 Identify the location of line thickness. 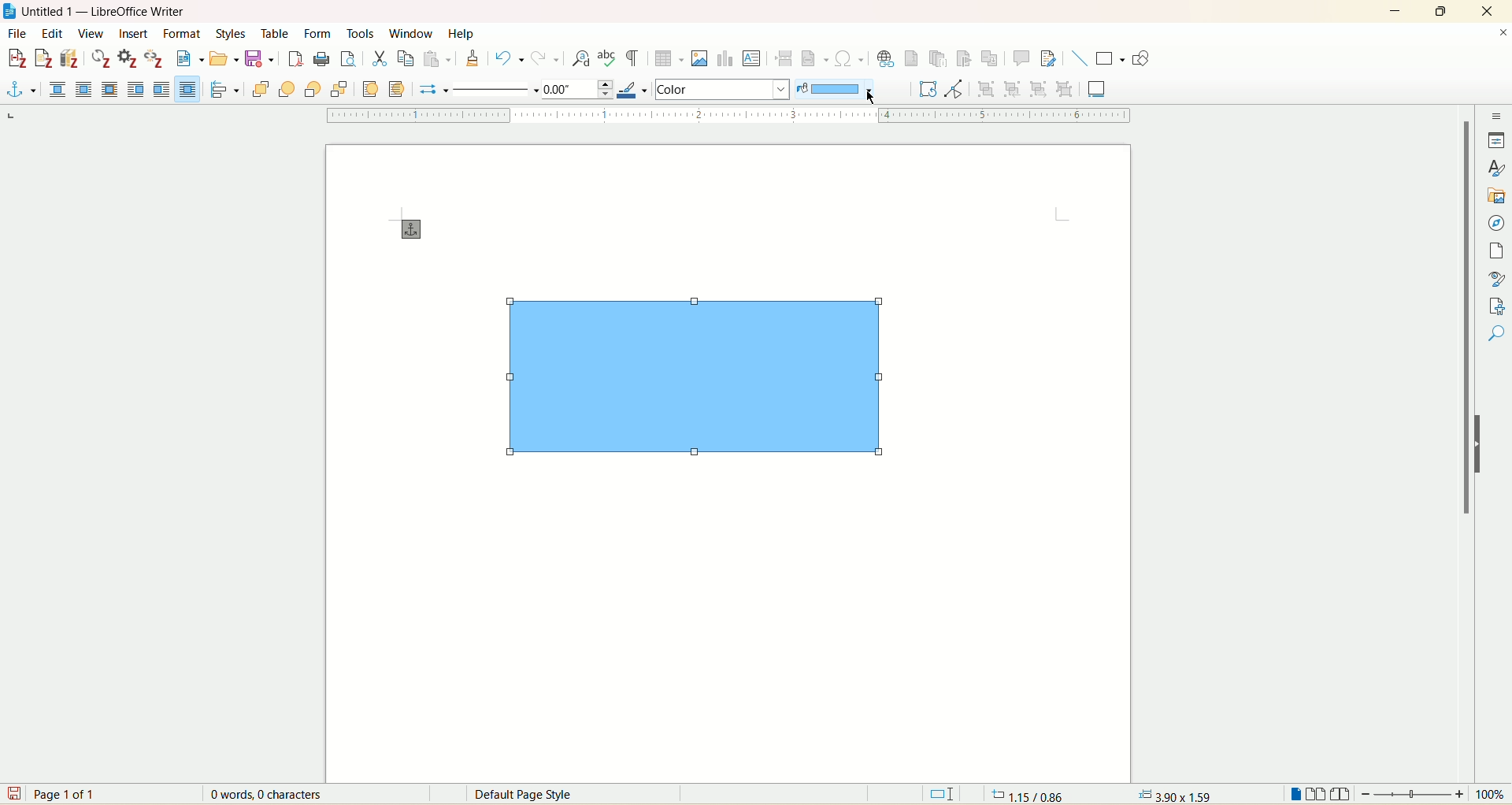
(576, 88).